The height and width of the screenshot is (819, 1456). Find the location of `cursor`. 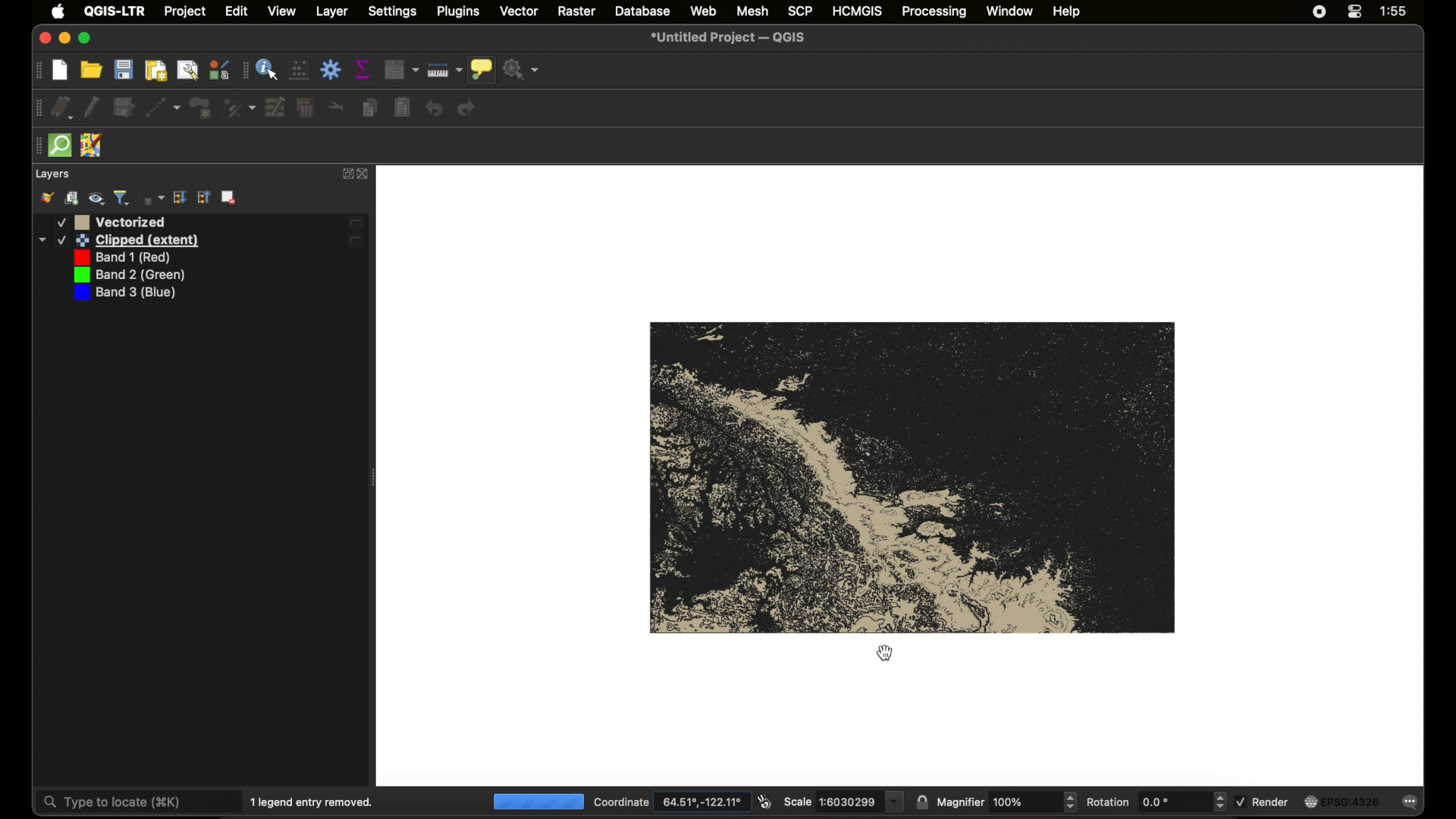

cursor is located at coordinates (885, 654).